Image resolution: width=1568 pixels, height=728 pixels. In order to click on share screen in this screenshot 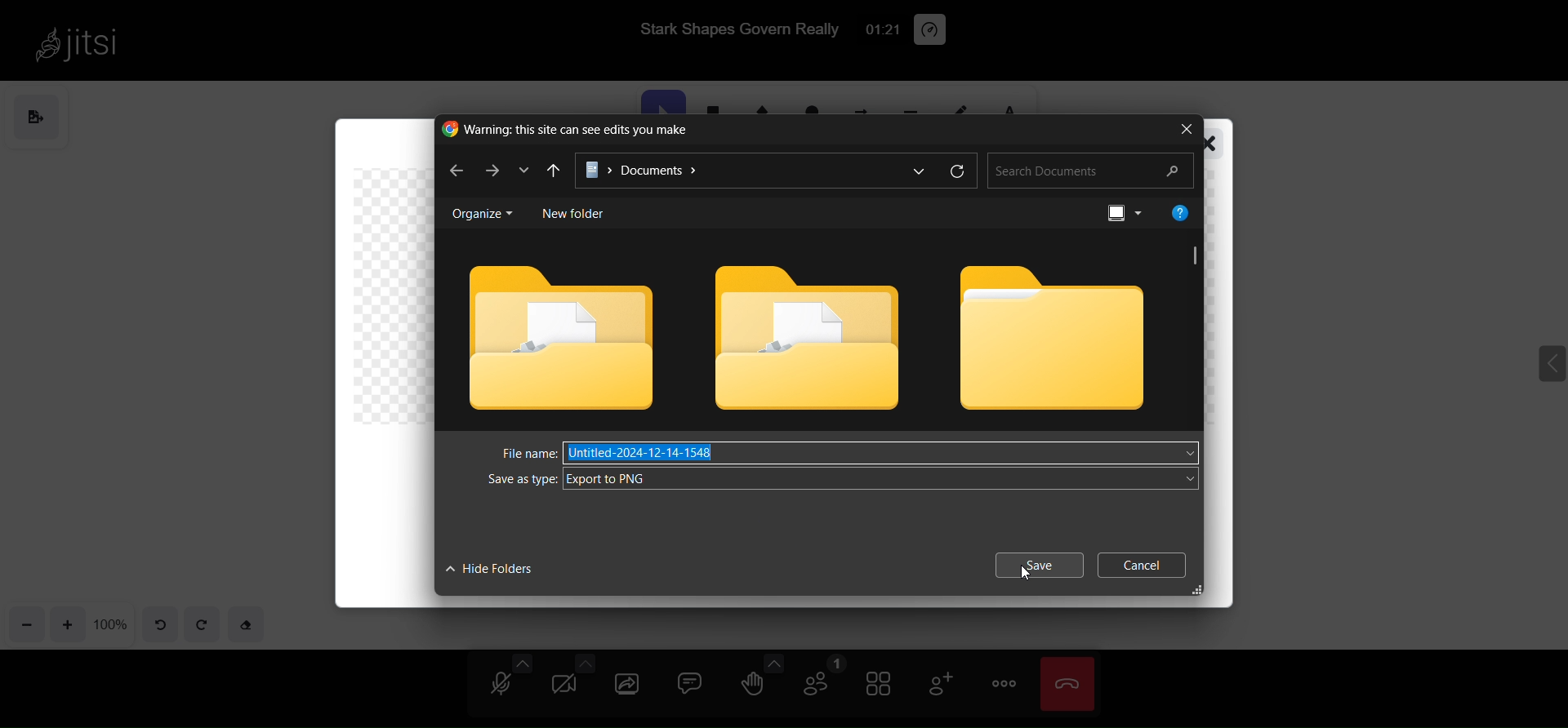, I will do `click(626, 684)`.